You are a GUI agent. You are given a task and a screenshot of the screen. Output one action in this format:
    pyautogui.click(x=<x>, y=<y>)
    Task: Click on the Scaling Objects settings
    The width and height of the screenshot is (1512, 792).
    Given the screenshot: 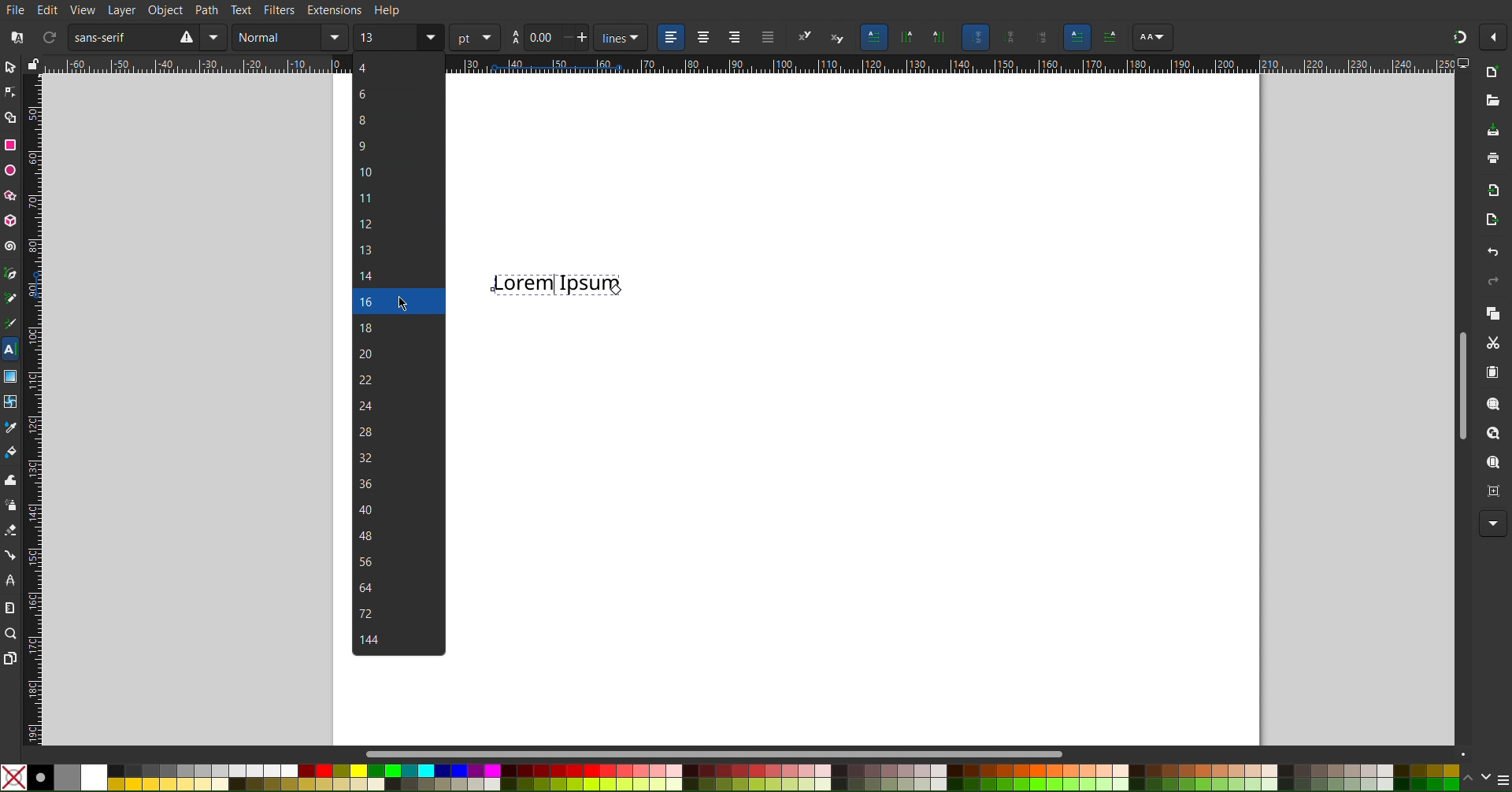 What is the action you would take?
    pyautogui.click(x=907, y=37)
    